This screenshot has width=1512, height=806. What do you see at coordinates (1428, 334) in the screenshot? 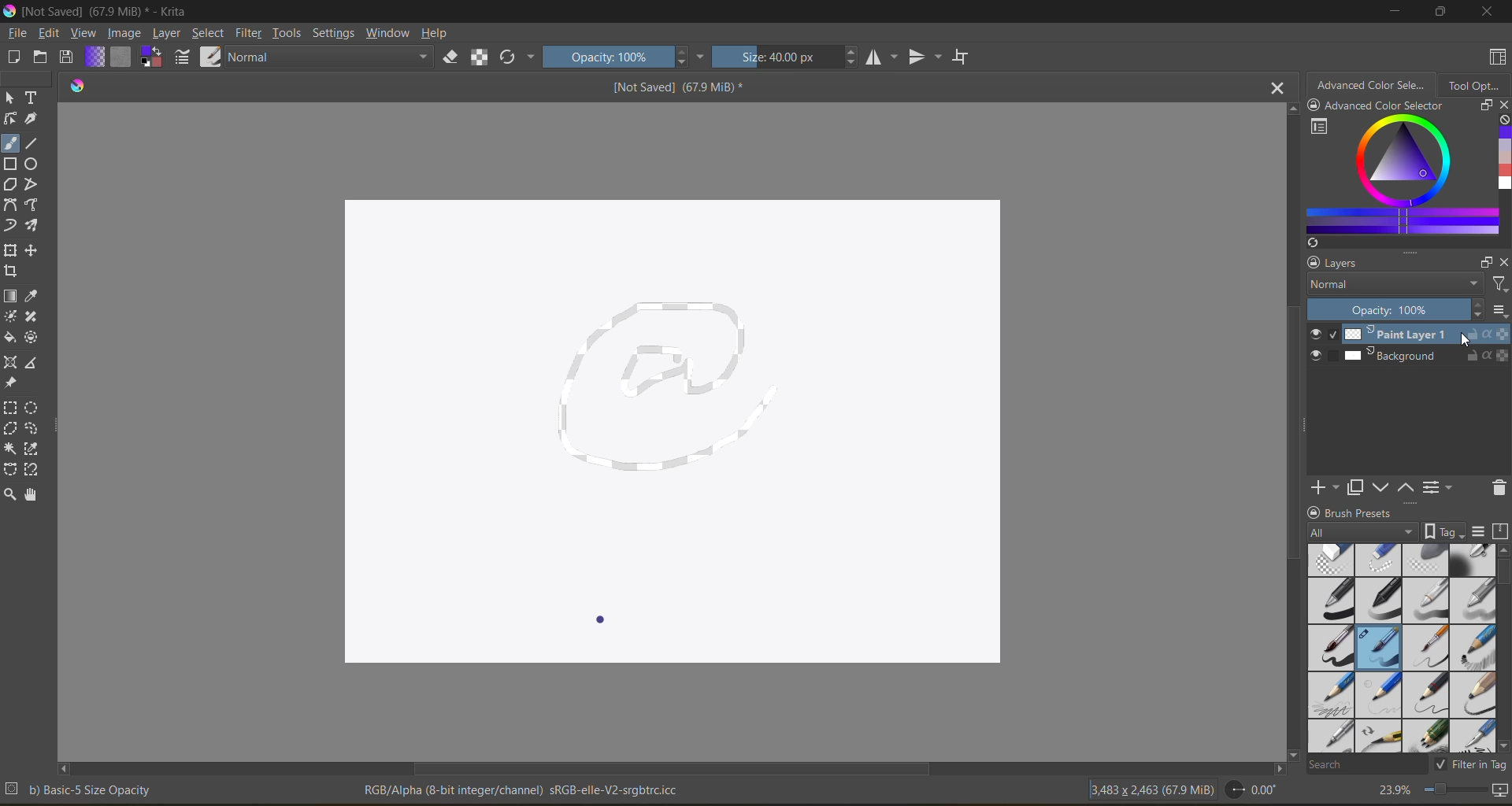
I see `Paint Layer 1` at bounding box center [1428, 334].